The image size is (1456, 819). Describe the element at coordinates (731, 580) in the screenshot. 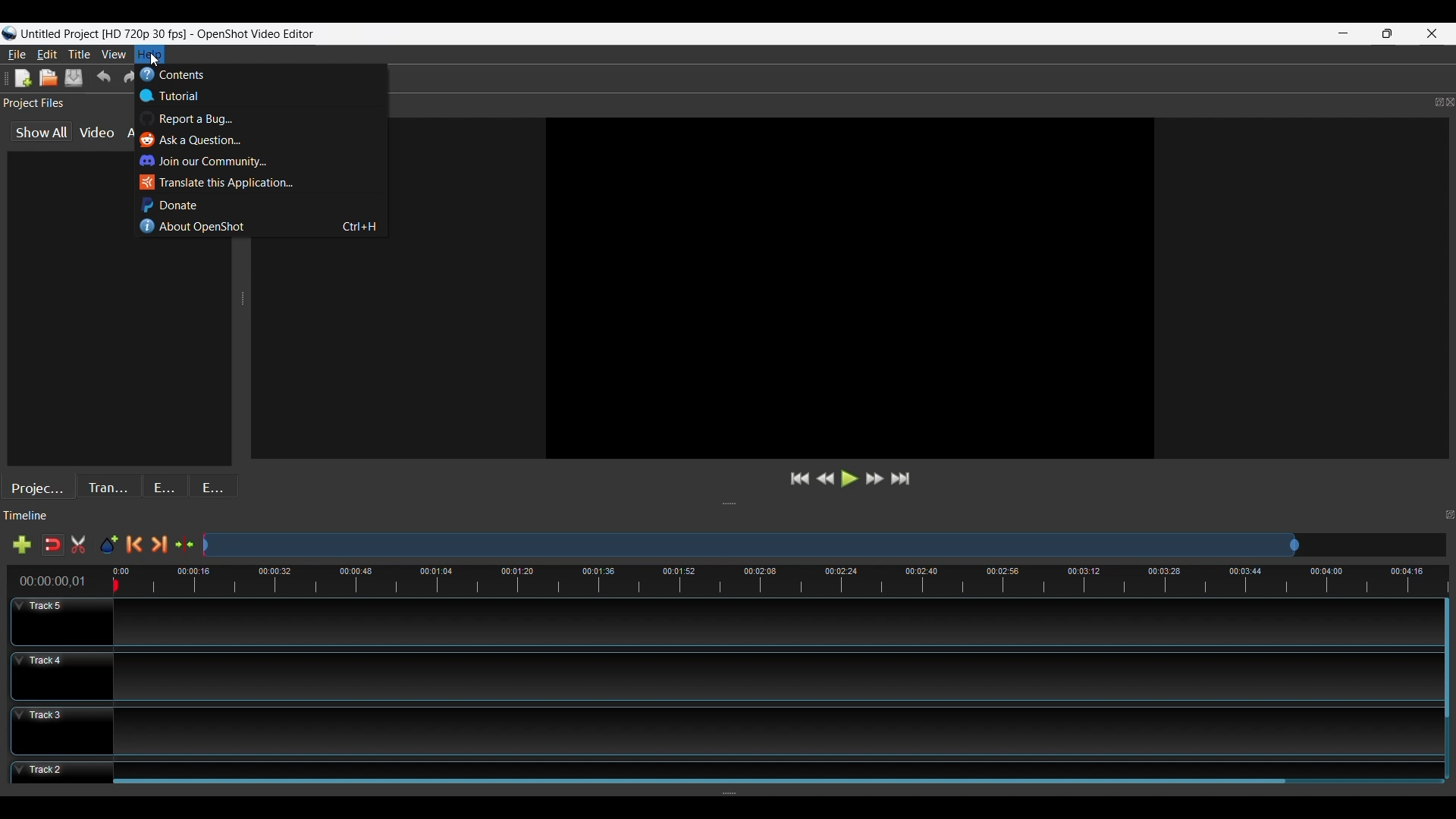

I see `Timeline` at that location.